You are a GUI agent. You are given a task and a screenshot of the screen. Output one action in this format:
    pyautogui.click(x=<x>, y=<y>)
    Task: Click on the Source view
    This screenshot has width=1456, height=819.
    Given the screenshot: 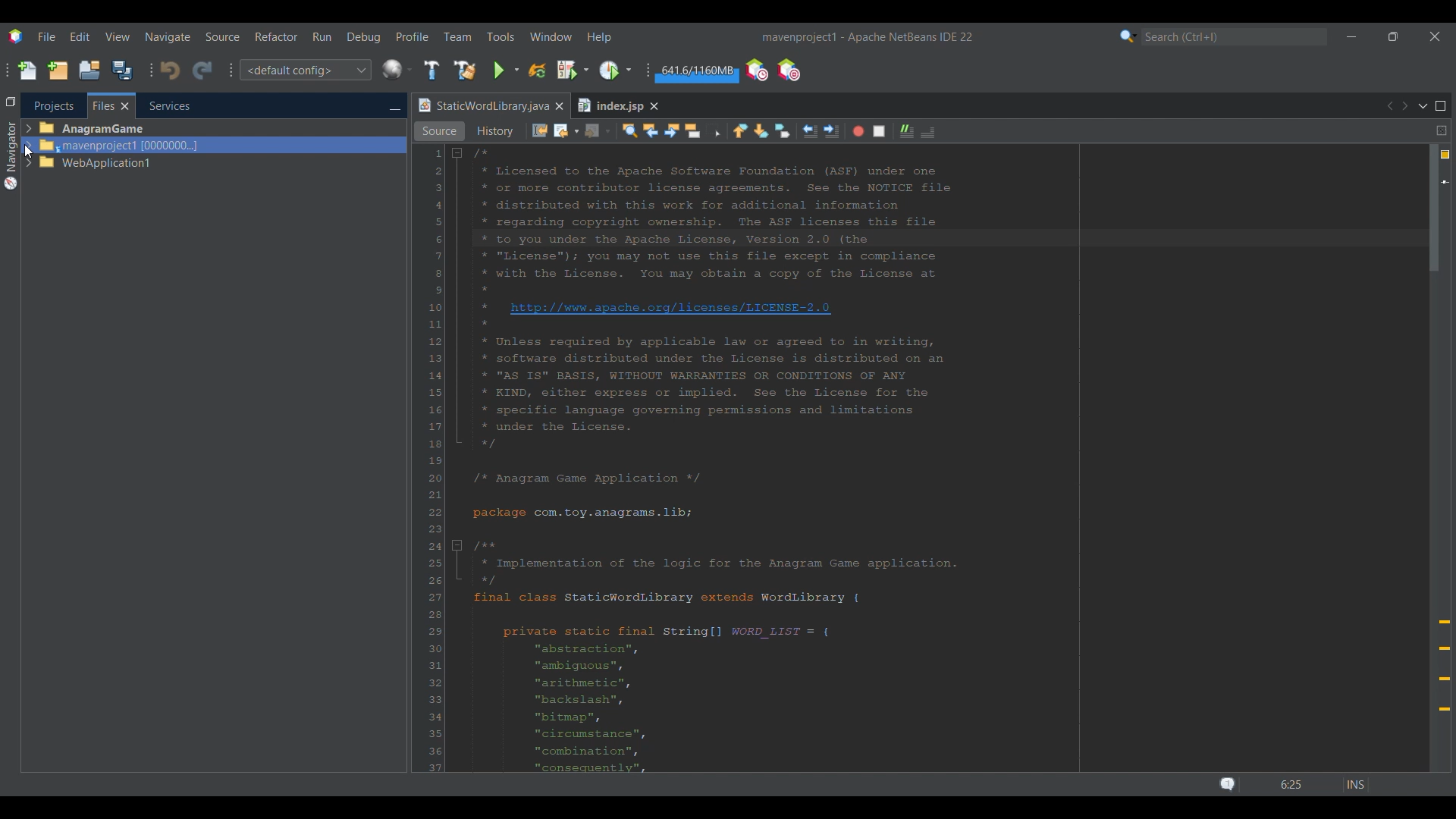 What is the action you would take?
    pyautogui.click(x=439, y=131)
    